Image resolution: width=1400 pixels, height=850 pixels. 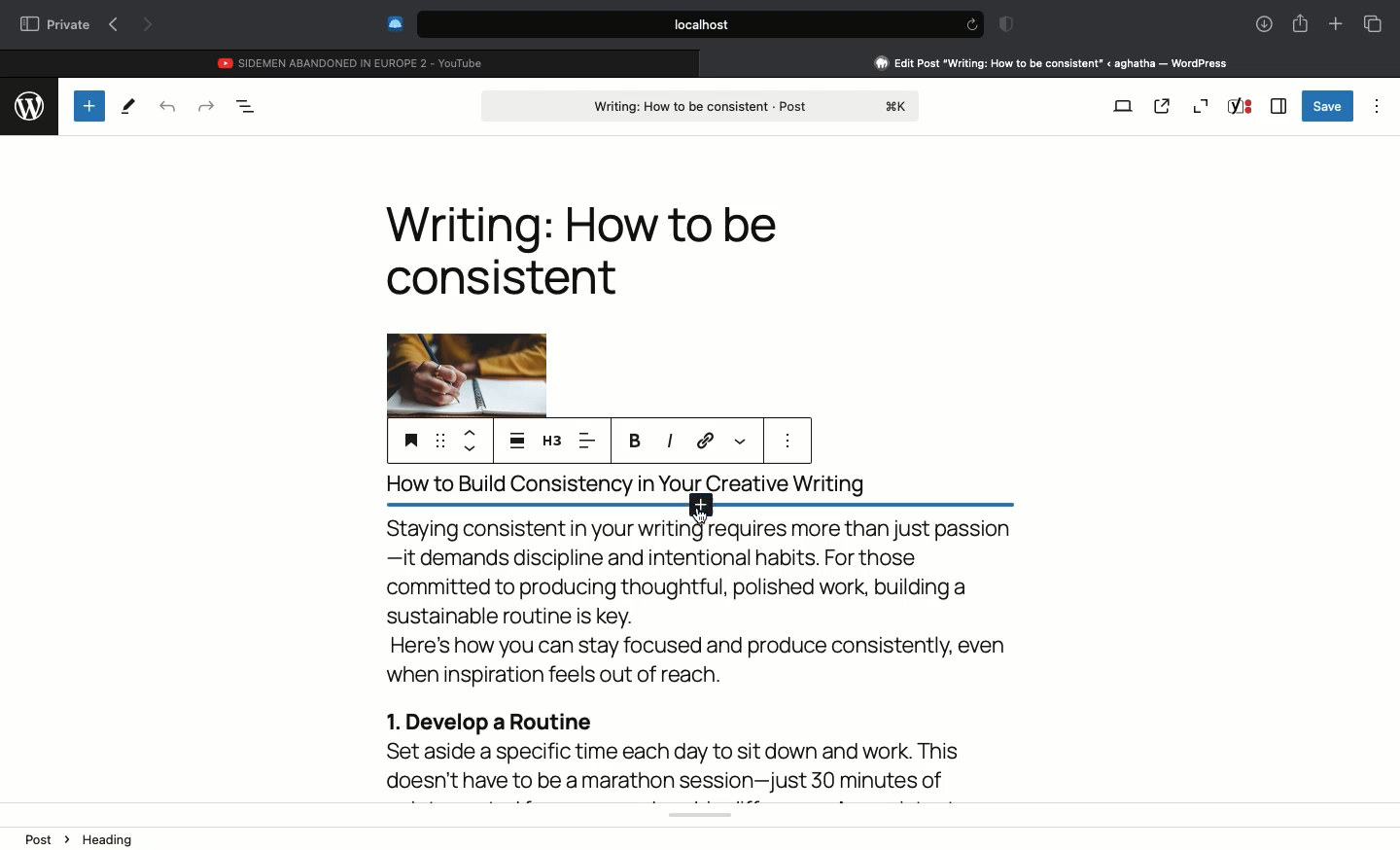 I want to click on Save, so click(x=1328, y=106).